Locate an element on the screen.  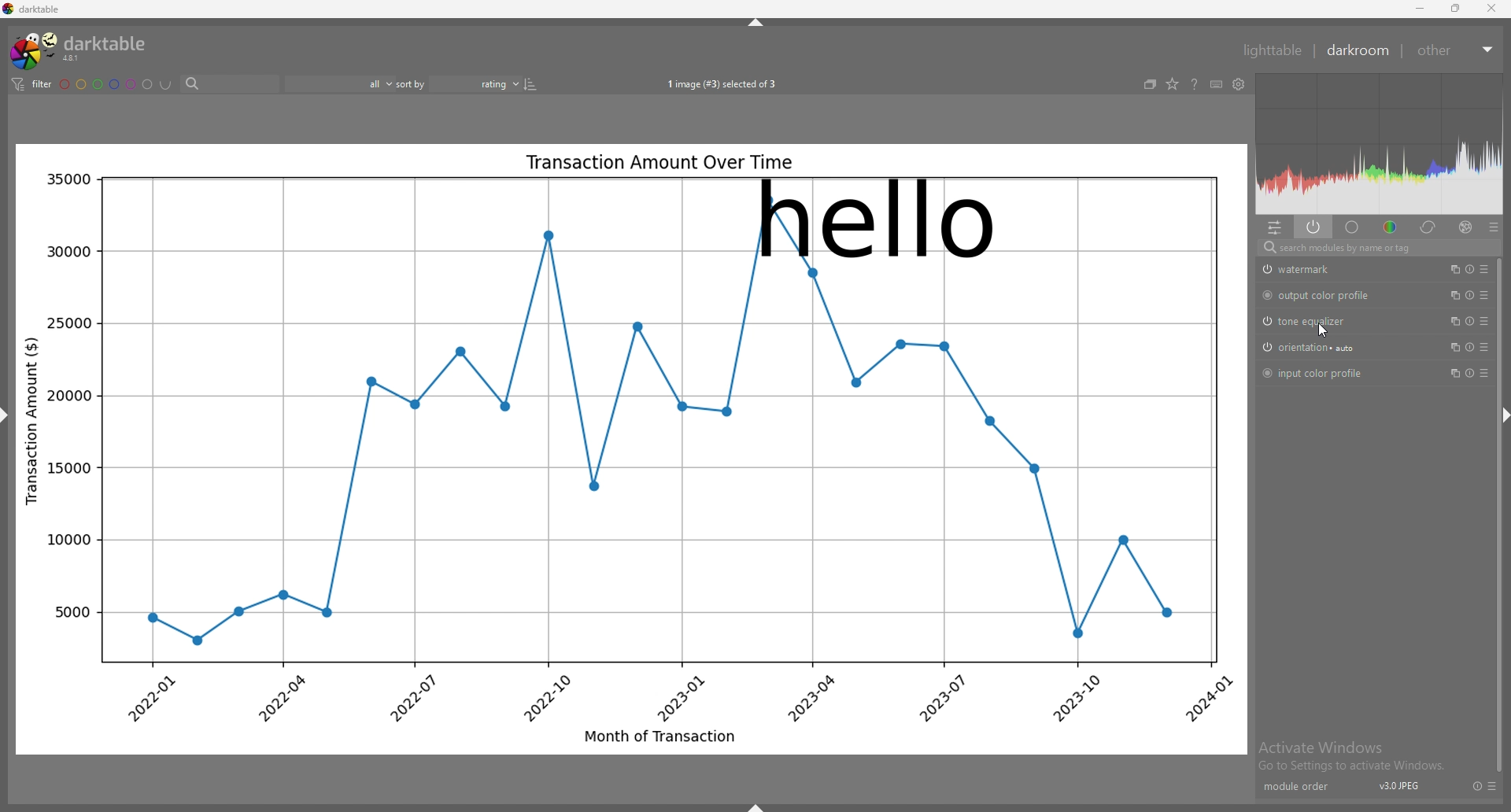
filter by images rating is located at coordinates (338, 85).